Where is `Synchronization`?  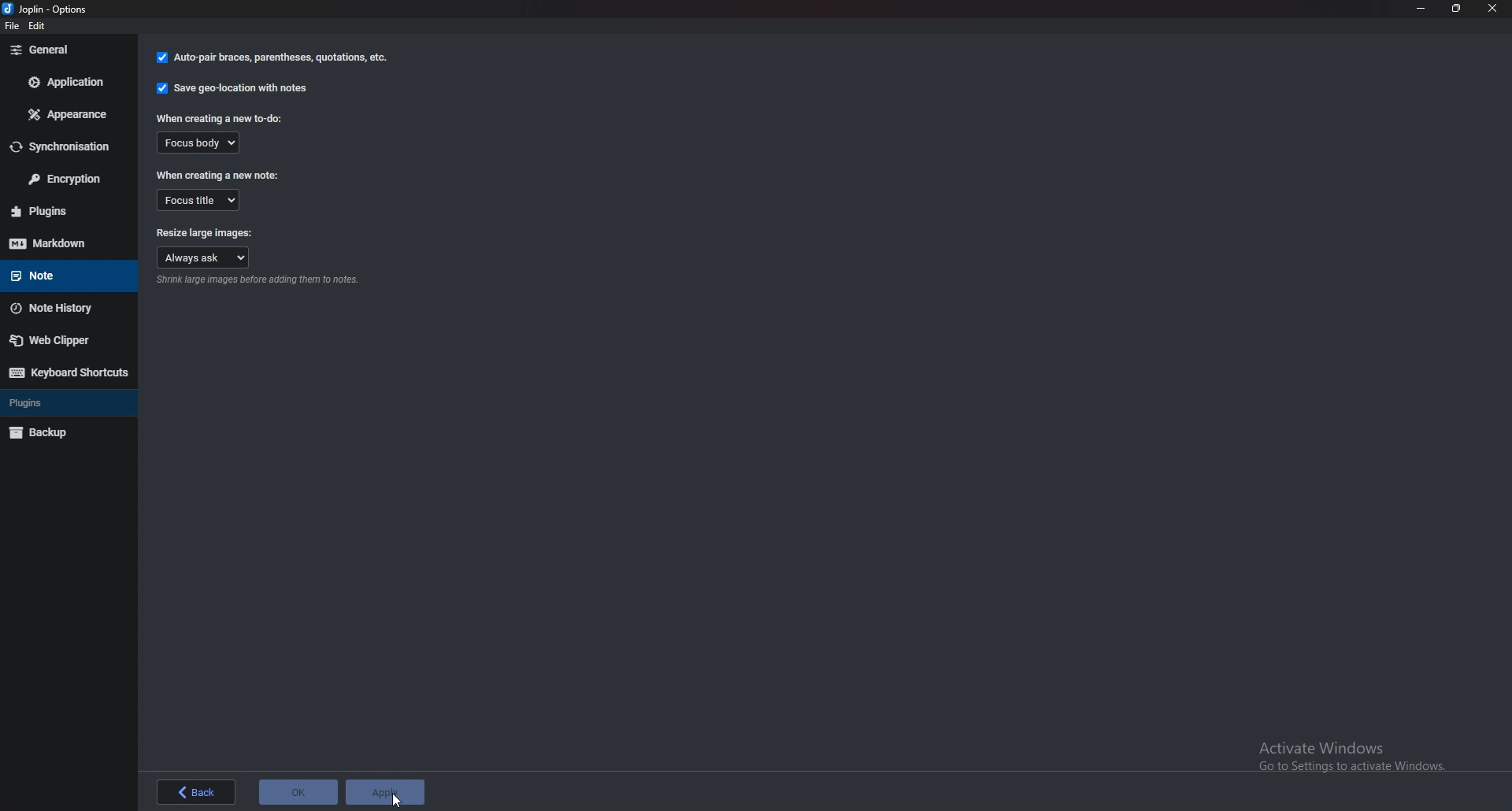
Synchronization is located at coordinates (64, 147).